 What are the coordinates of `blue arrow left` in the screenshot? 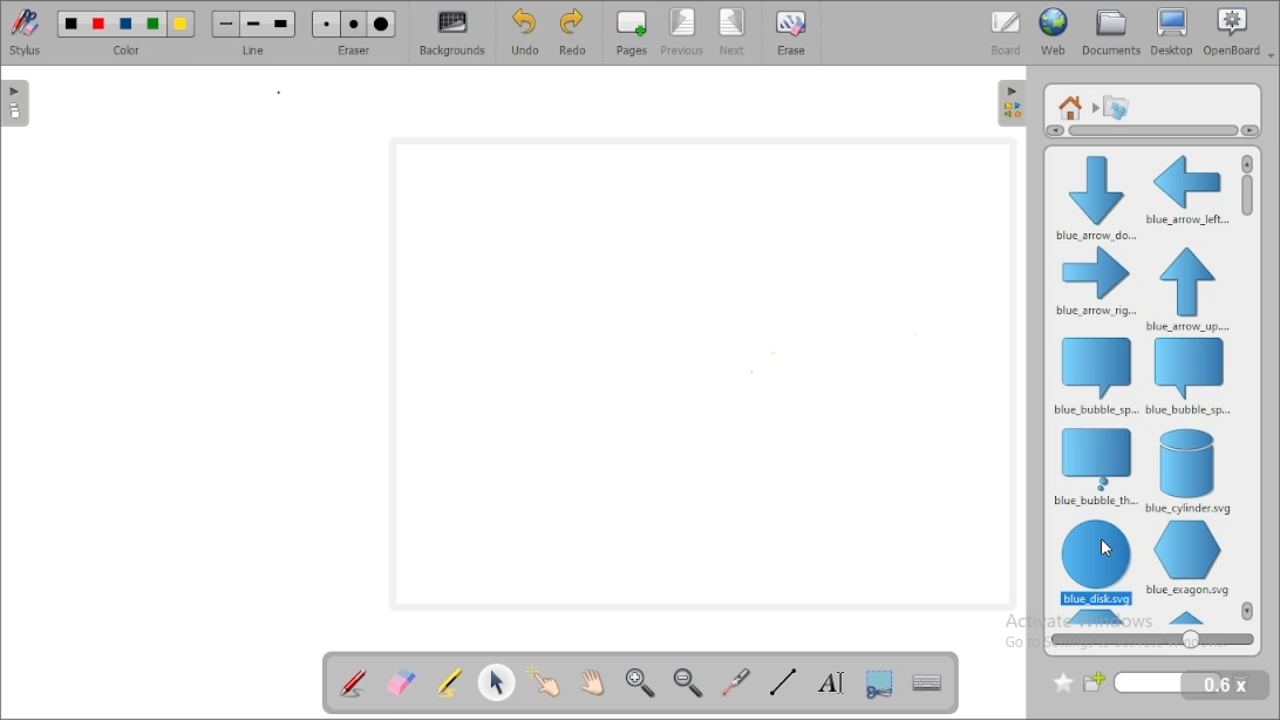 It's located at (1187, 189).